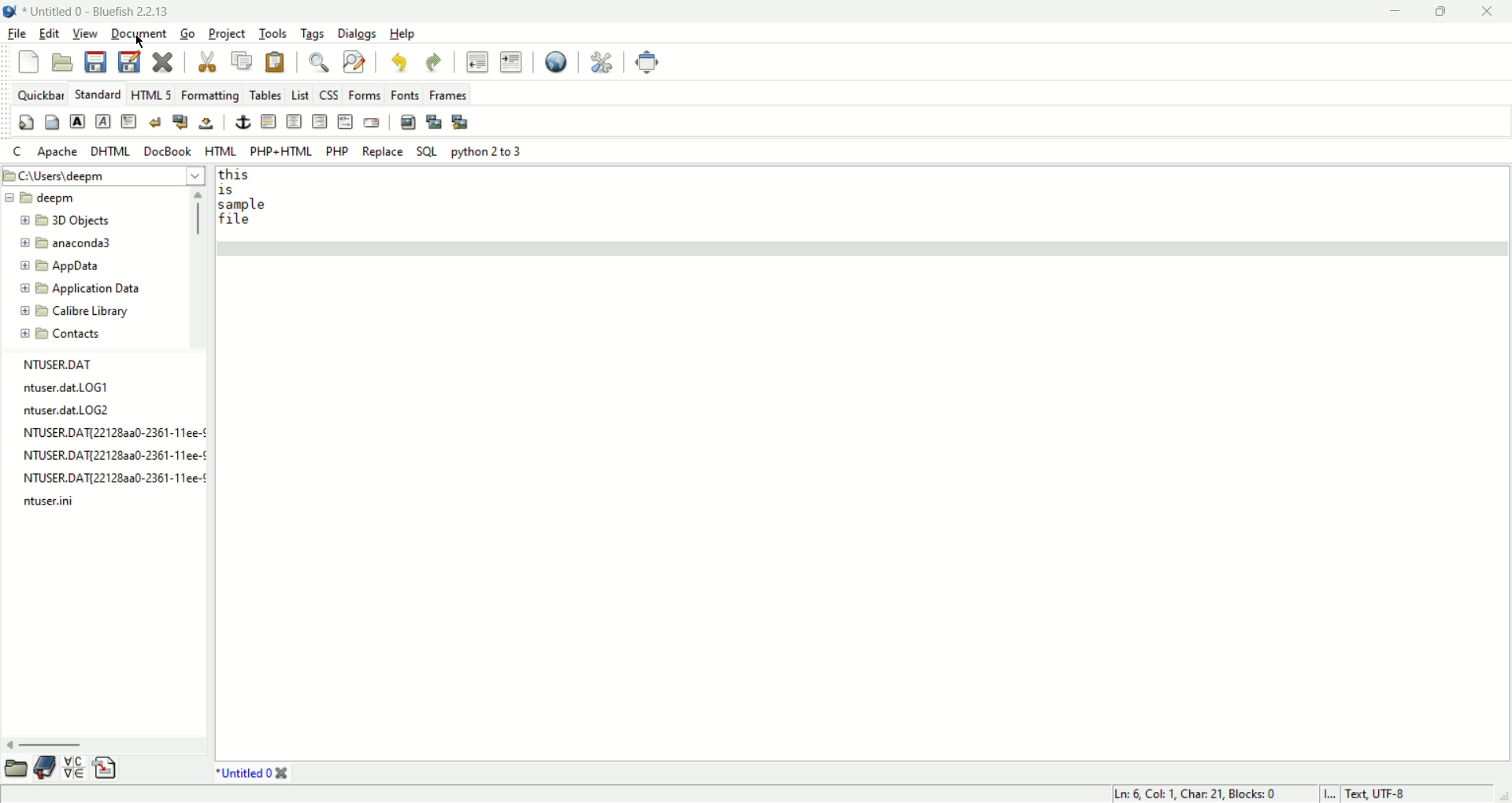 The height and width of the screenshot is (803, 1512). I want to click on calibre, so click(77, 311).